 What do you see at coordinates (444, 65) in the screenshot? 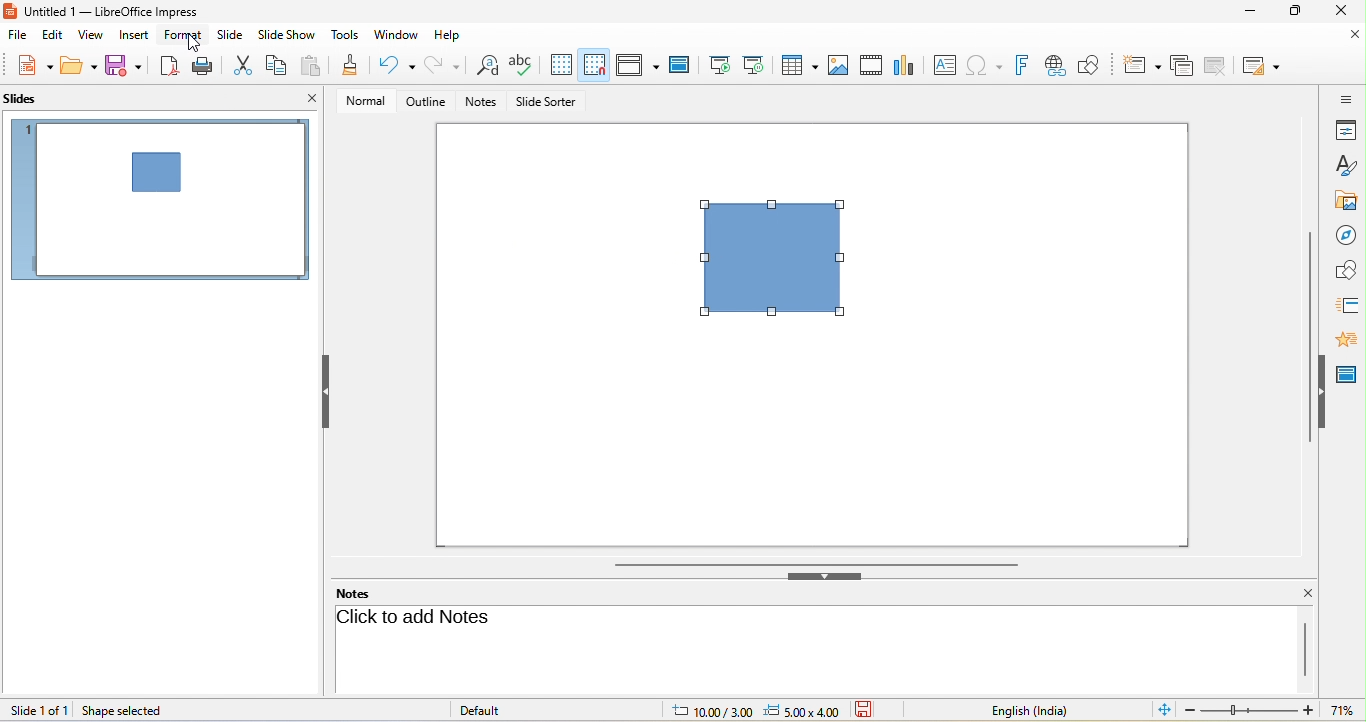
I see `redo` at bounding box center [444, 65].